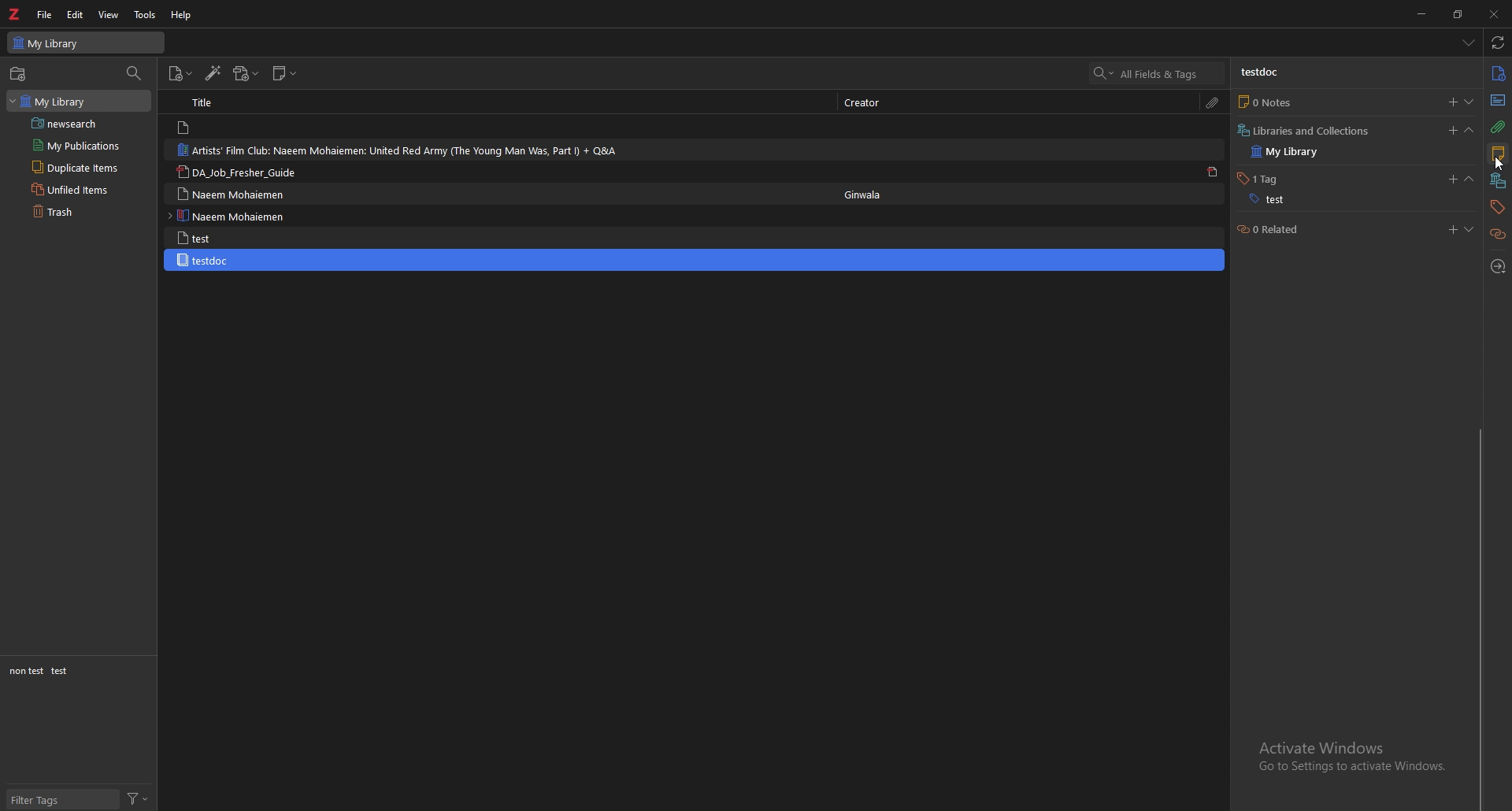  I want to click on add tags, so click(1452, 180).